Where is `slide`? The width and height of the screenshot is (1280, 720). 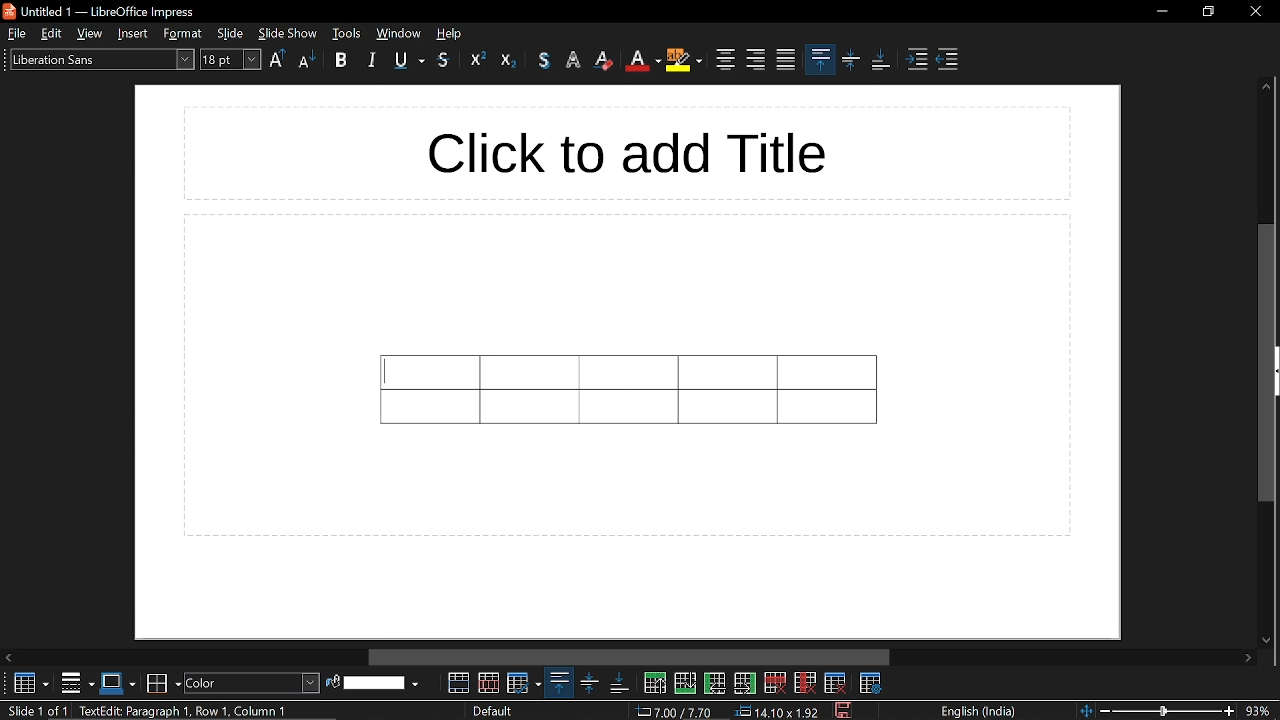
slide is located at coordinates (232, 33).